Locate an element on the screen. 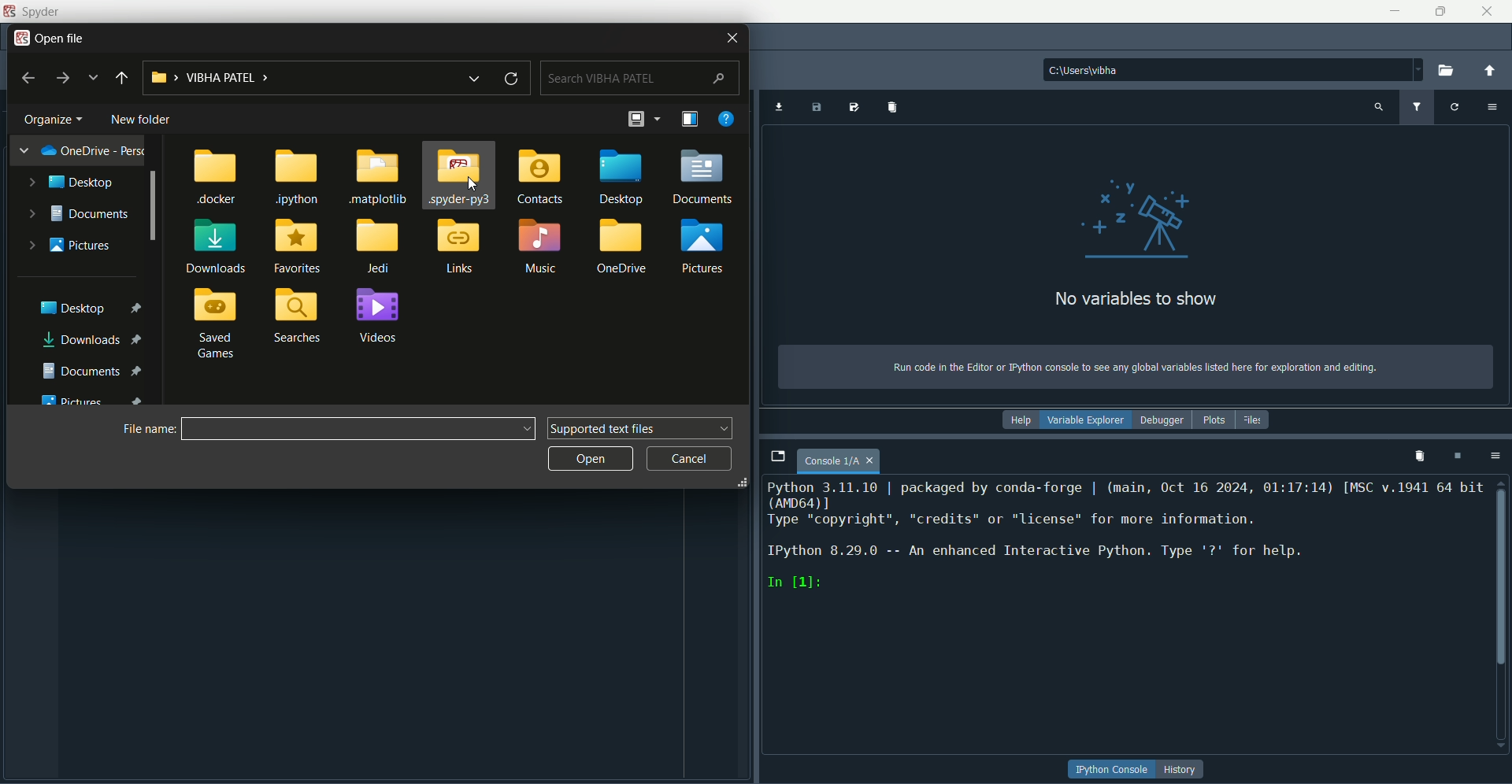 The height and width of the screenshot is (784, 1512). file bar is located at coordinates (360, 428).